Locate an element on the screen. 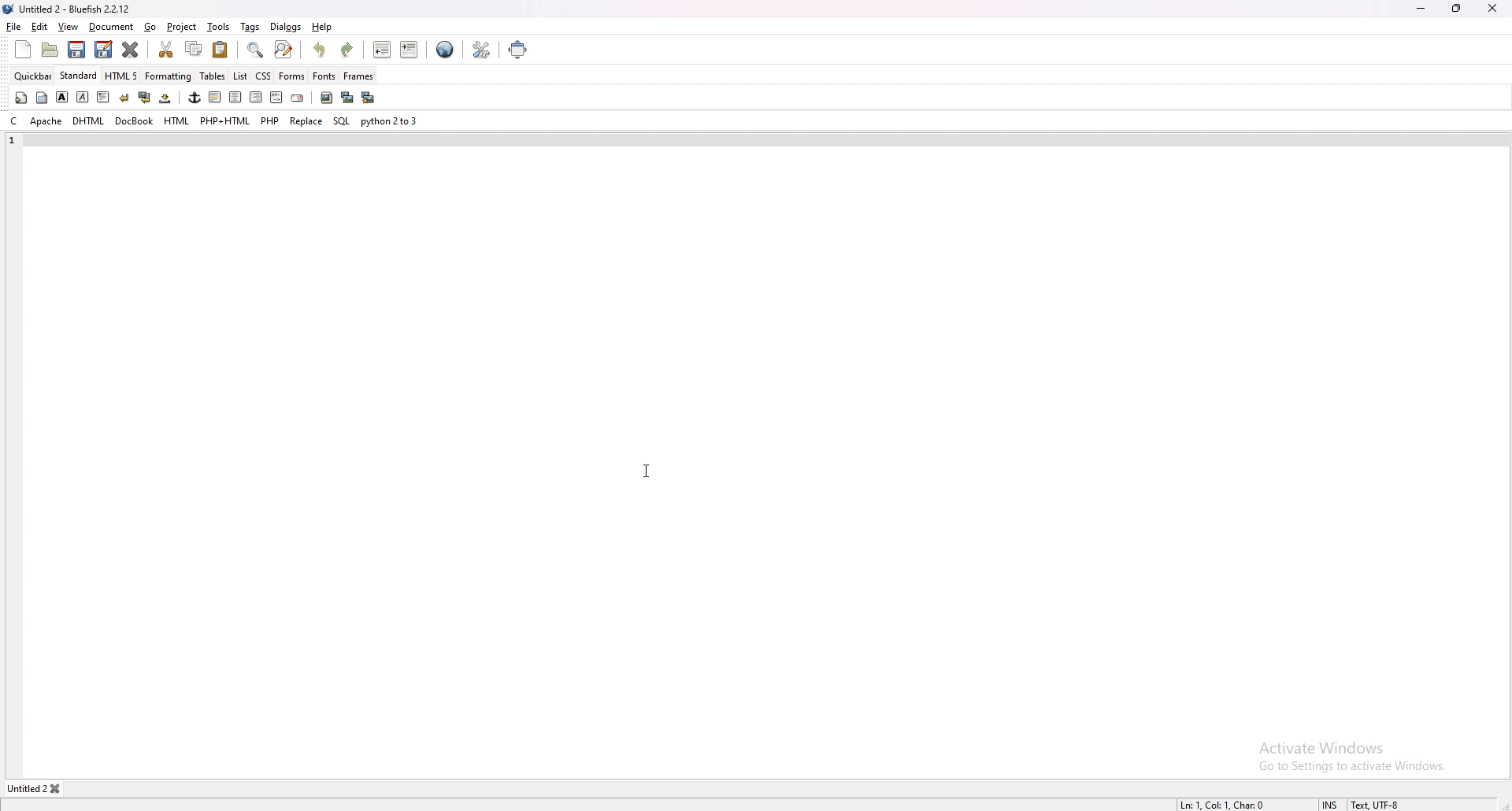 The height and width of the screenshot is (811, 1512). save as is located at coordinates (104, 50).